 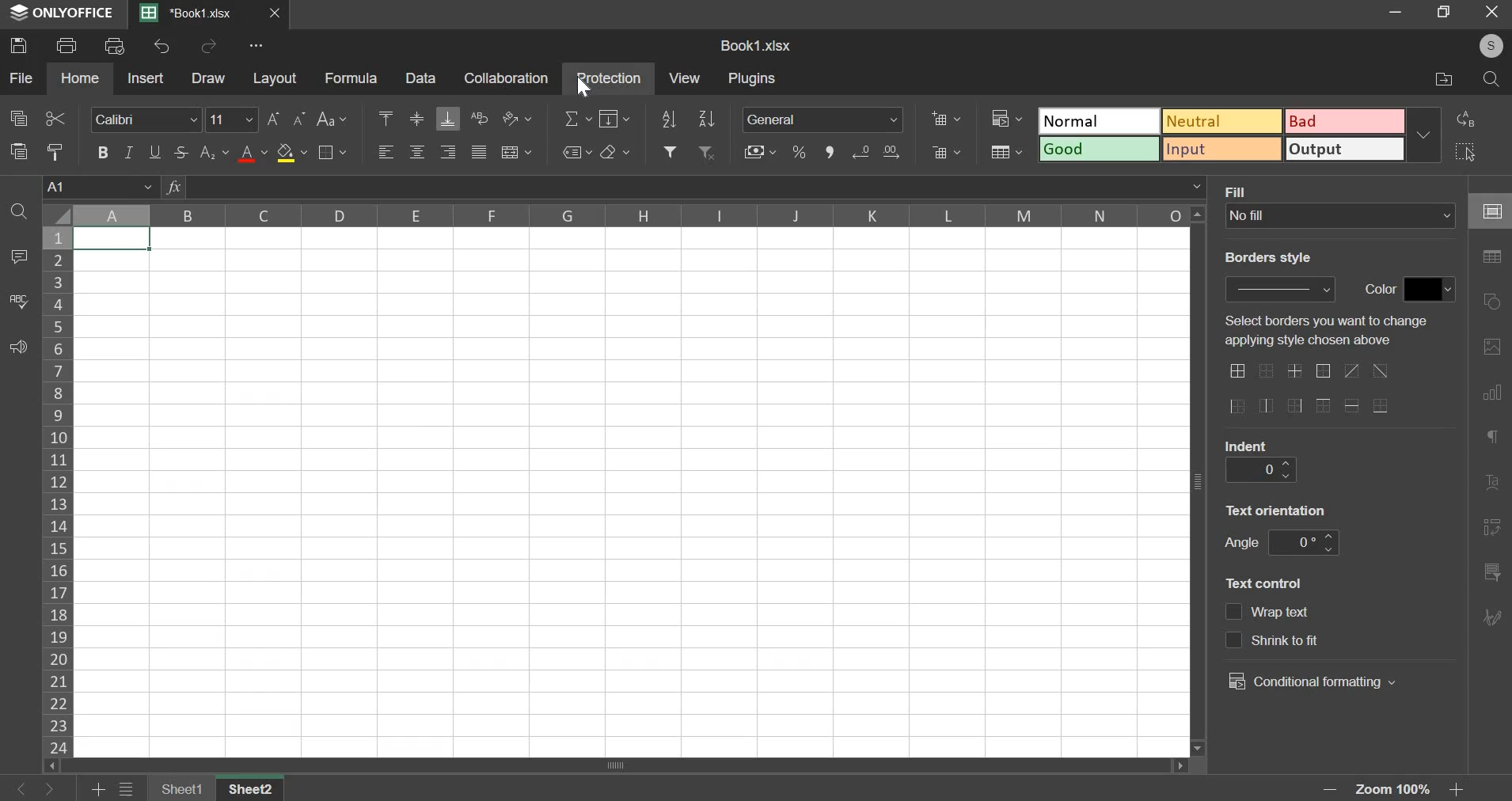 What do you see at coordinates (1234, 613) in the screenshot?
I see `checkbox` at bounding box center [1234, 613].